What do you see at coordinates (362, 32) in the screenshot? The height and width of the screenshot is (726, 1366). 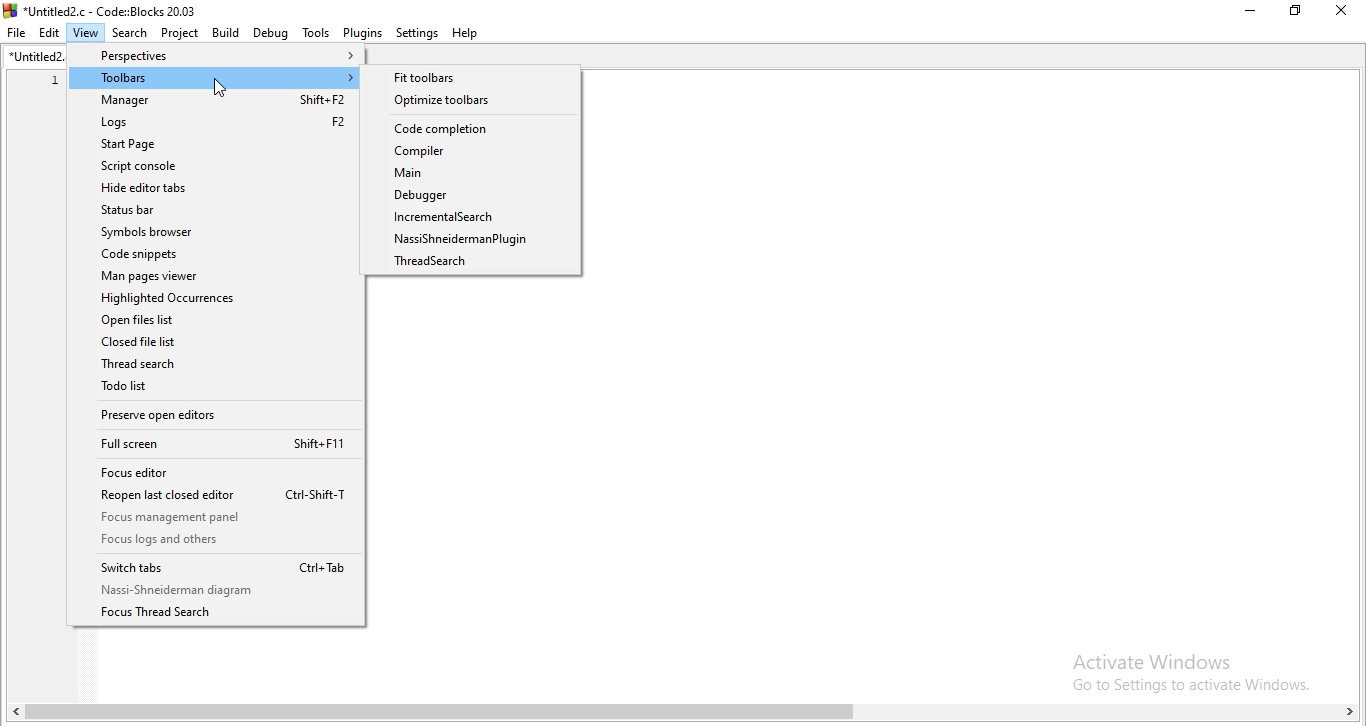 I see `plugins` at bounding box center [362, 32].